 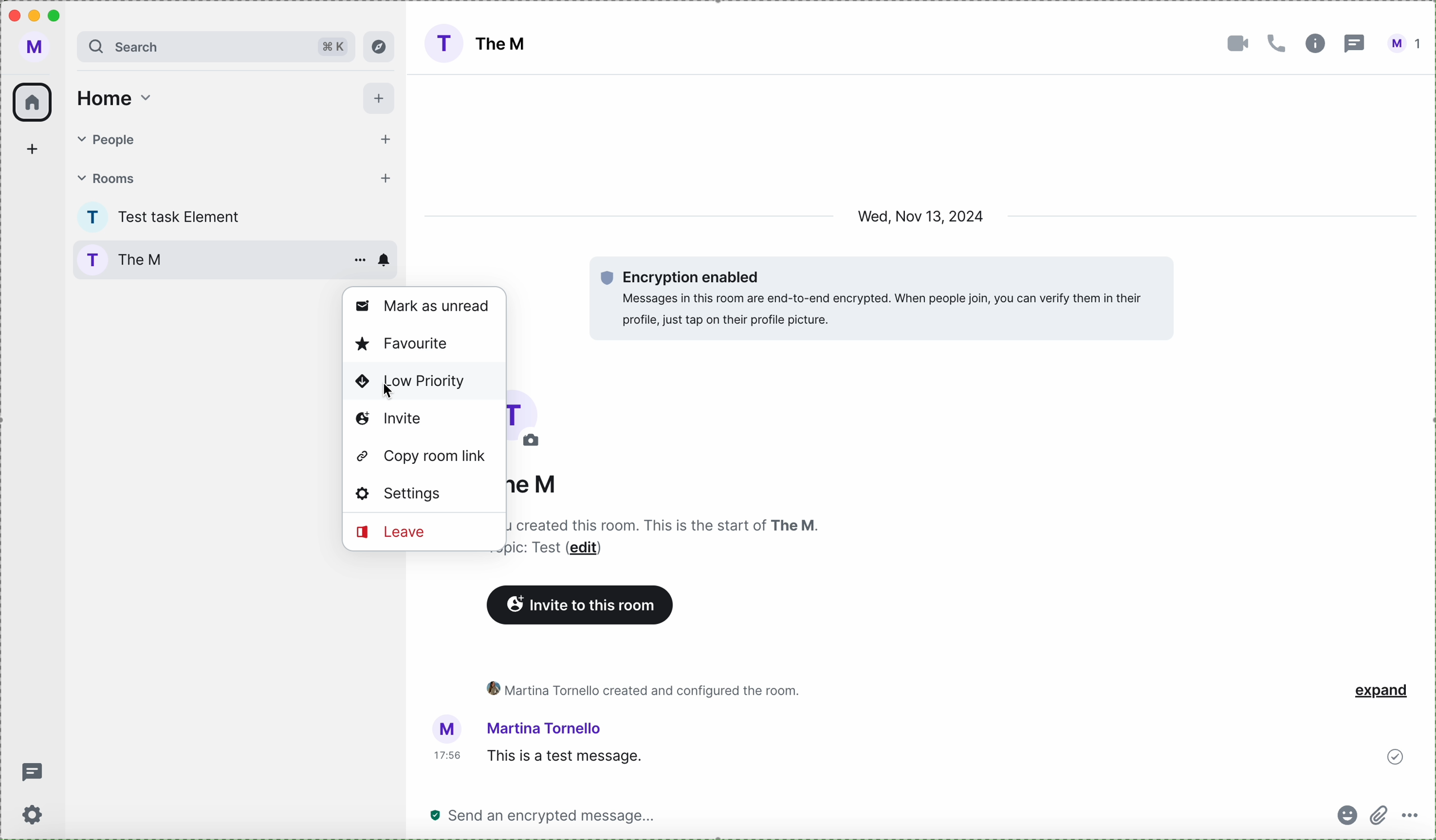 I want to click on profile, so click(x=34, y=46).